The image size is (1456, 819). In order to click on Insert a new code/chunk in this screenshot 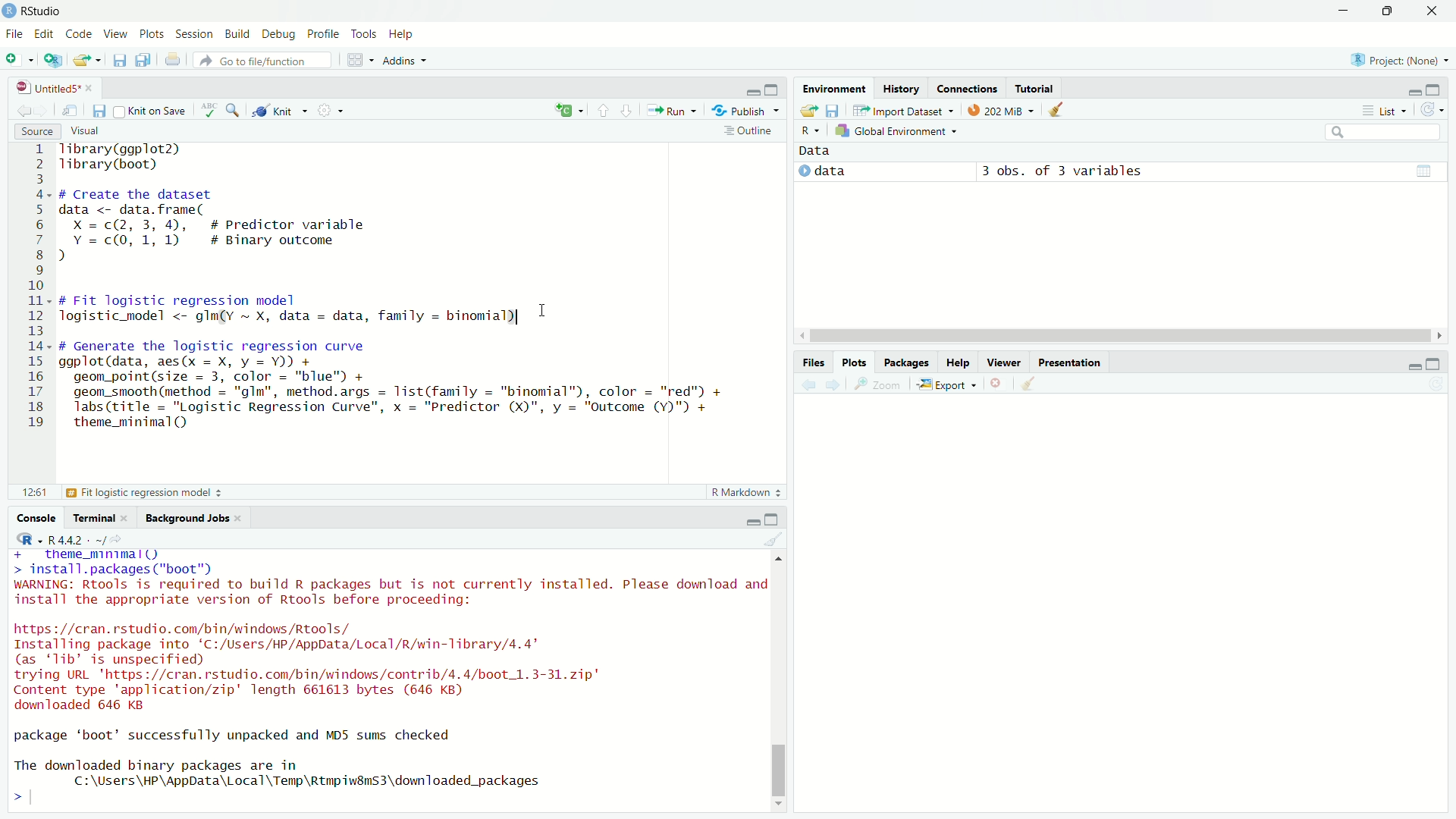, I will do `click(570, 110)`.